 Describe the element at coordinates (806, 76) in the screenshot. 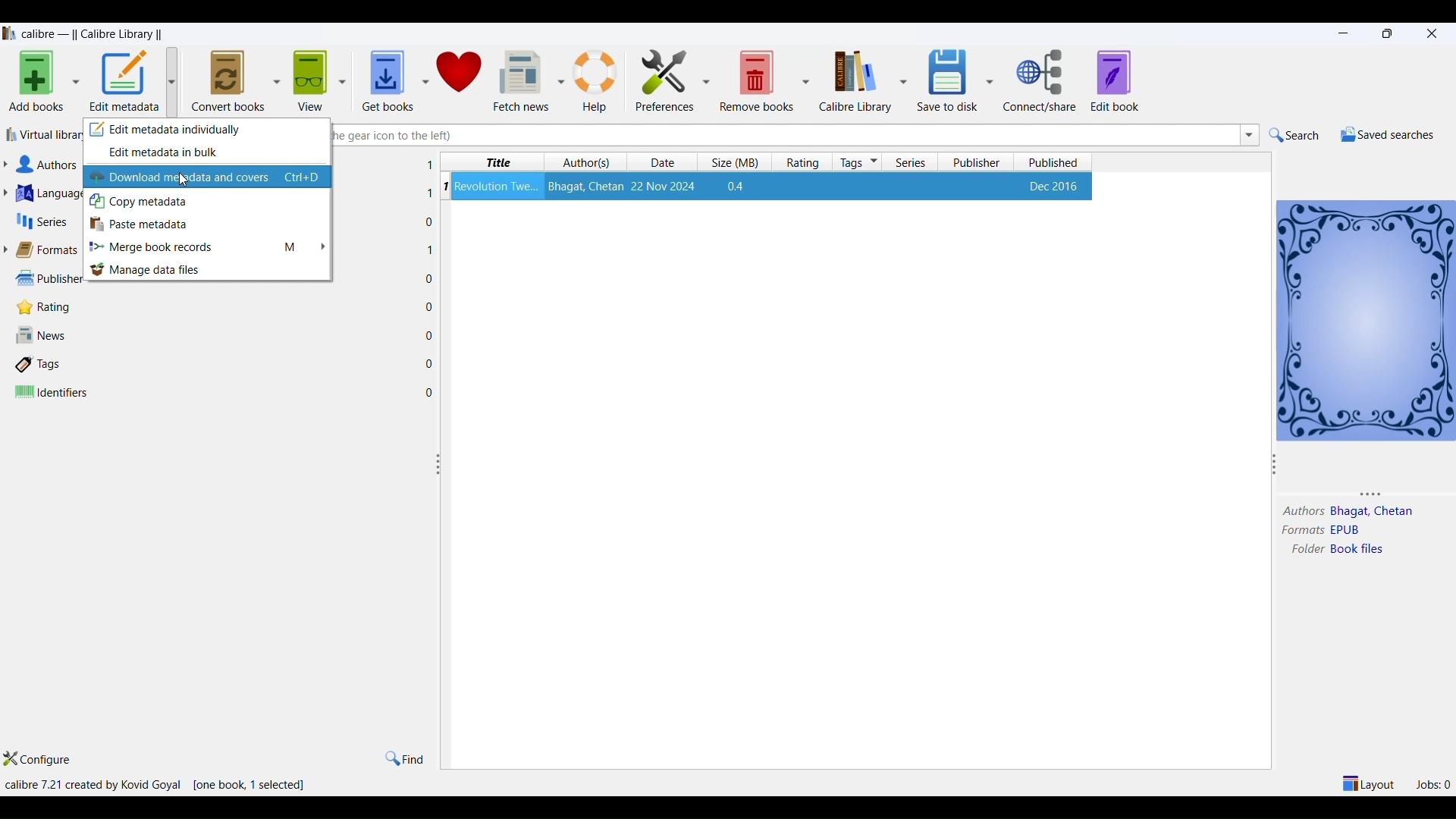

I see `remove books options dropdown button` at that location.